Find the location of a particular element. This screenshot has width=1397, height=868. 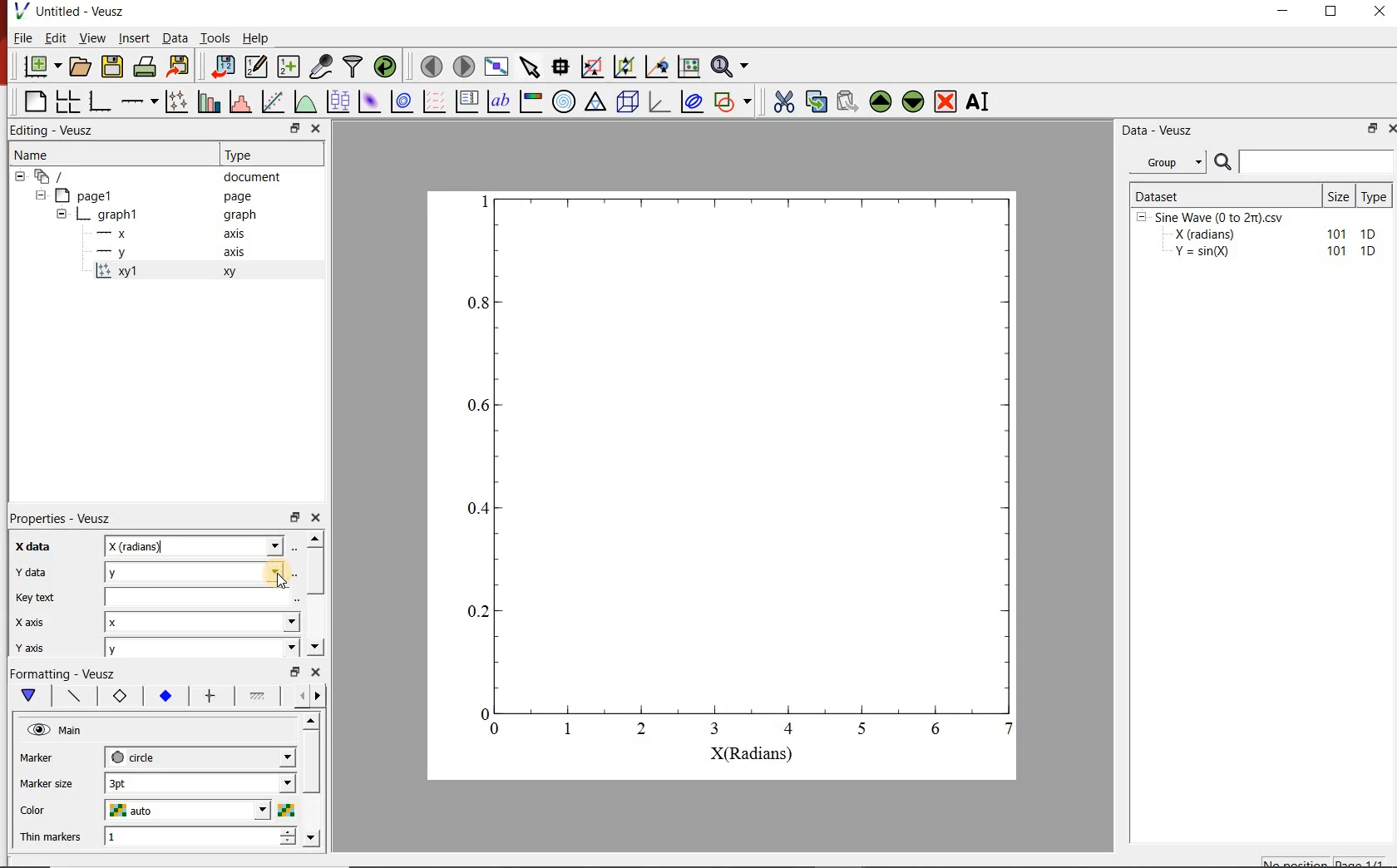

click to recentre graph is located at coordinates (657, 64).